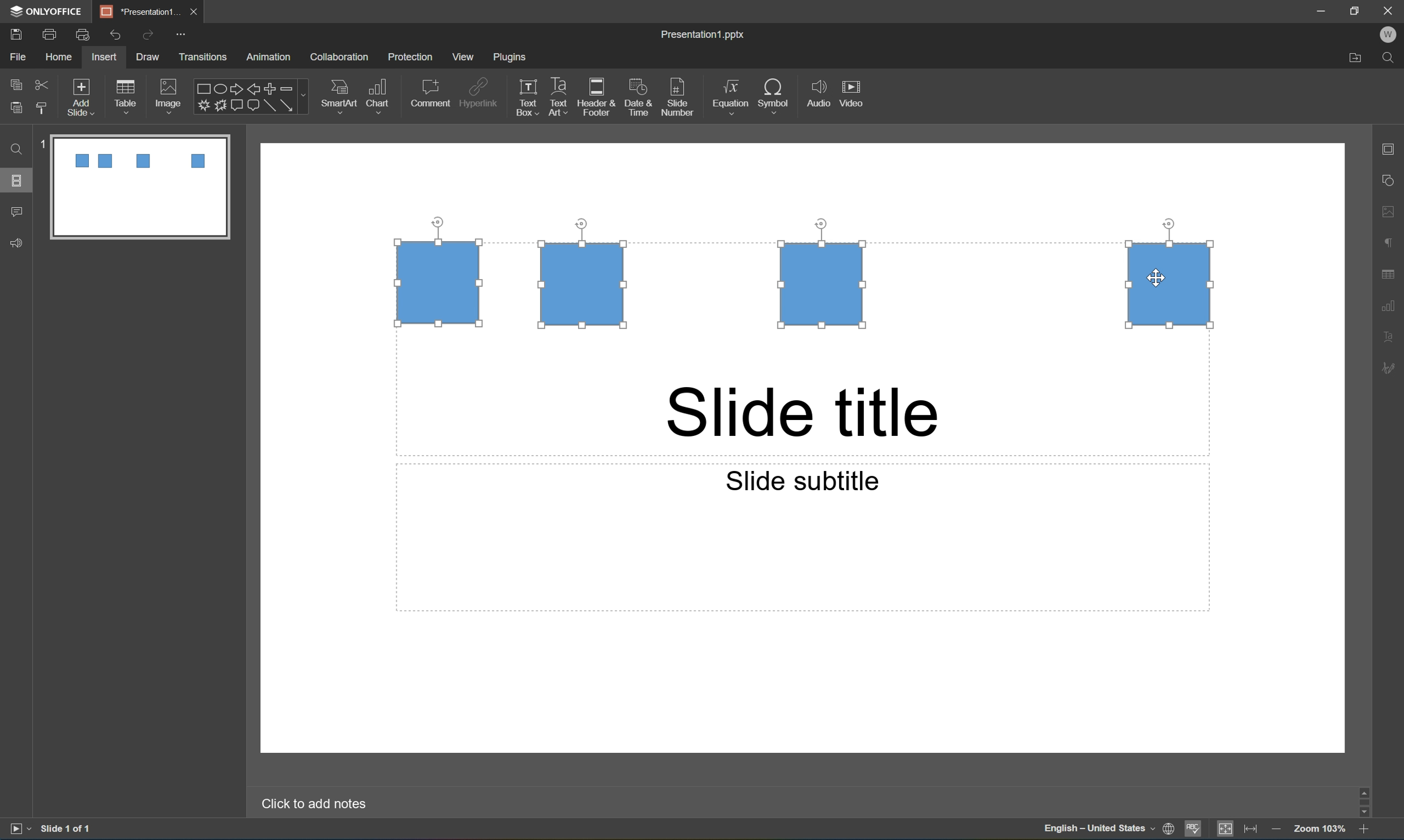 This screenshot has height=840, width=1404. I want to click on slide number, so click(678, 98).